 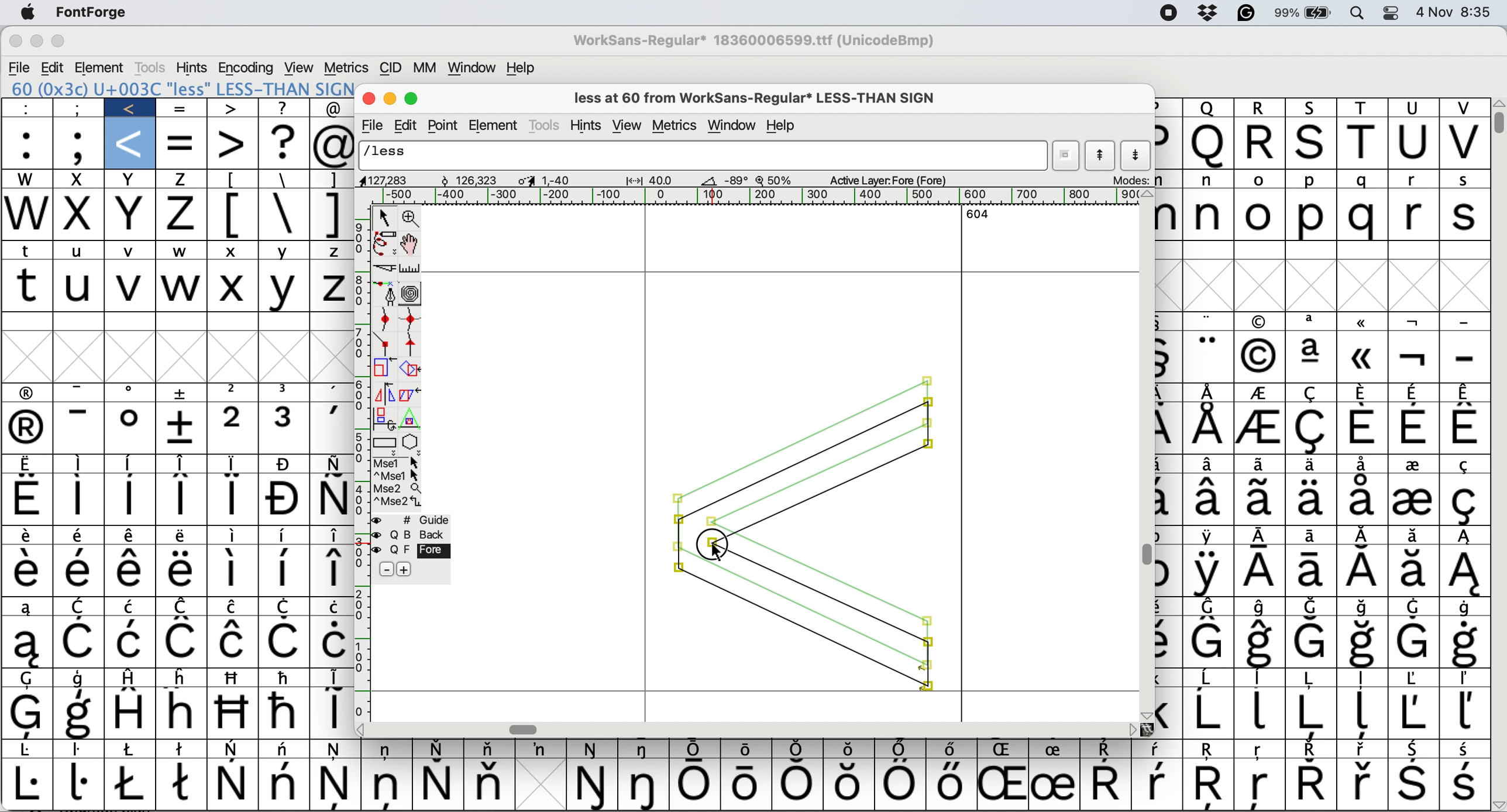 What do you see at coordinates (709, 552) in the screenshot?
I see `cursor` at bounding box center [709, 552].